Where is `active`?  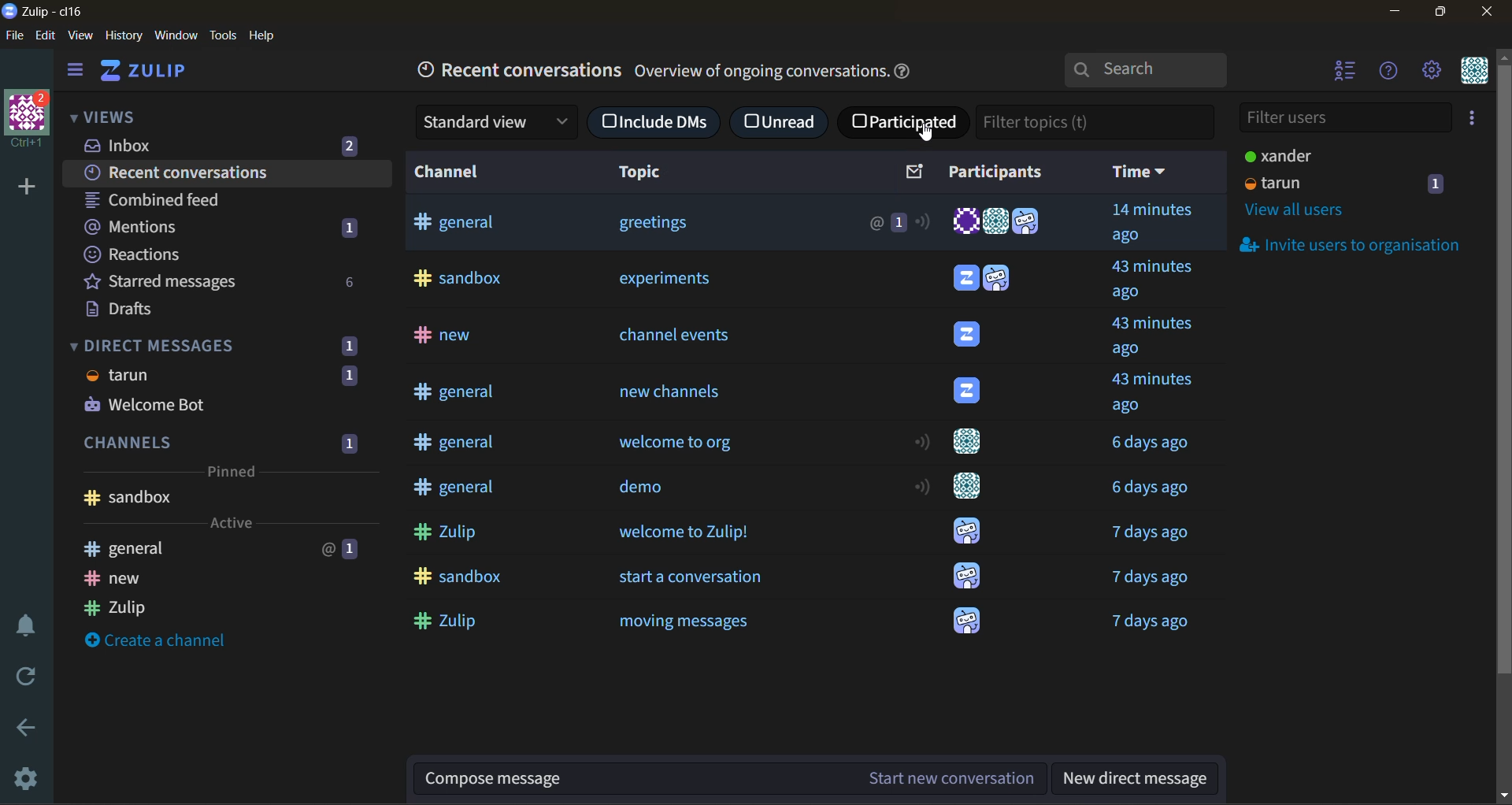 active is located at coordinates (232, 522).